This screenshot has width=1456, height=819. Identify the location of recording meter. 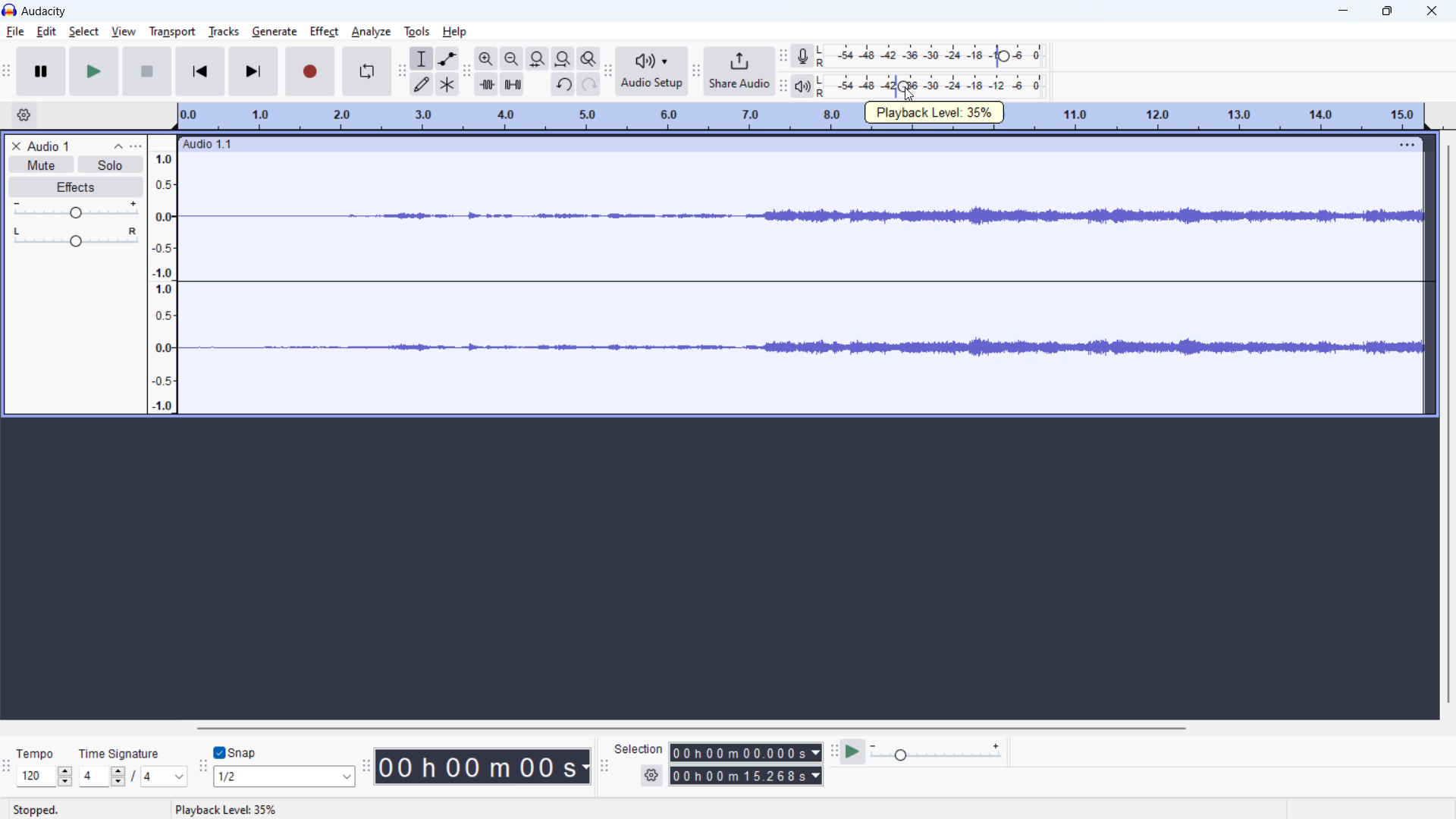
(783, 56).